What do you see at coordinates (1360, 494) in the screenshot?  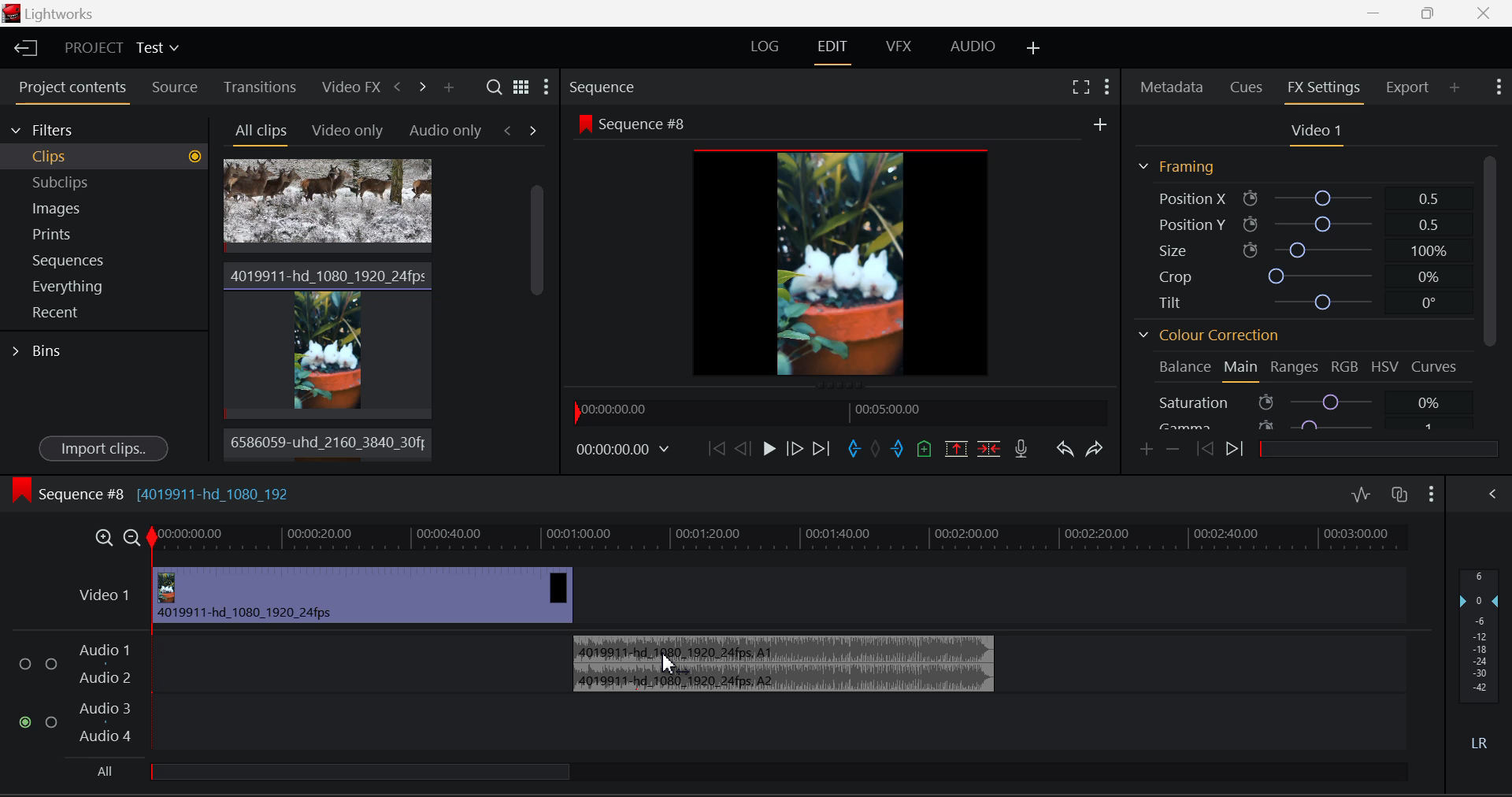 I see `Toggle audio levels editing` at bounding box center [1360, 494].